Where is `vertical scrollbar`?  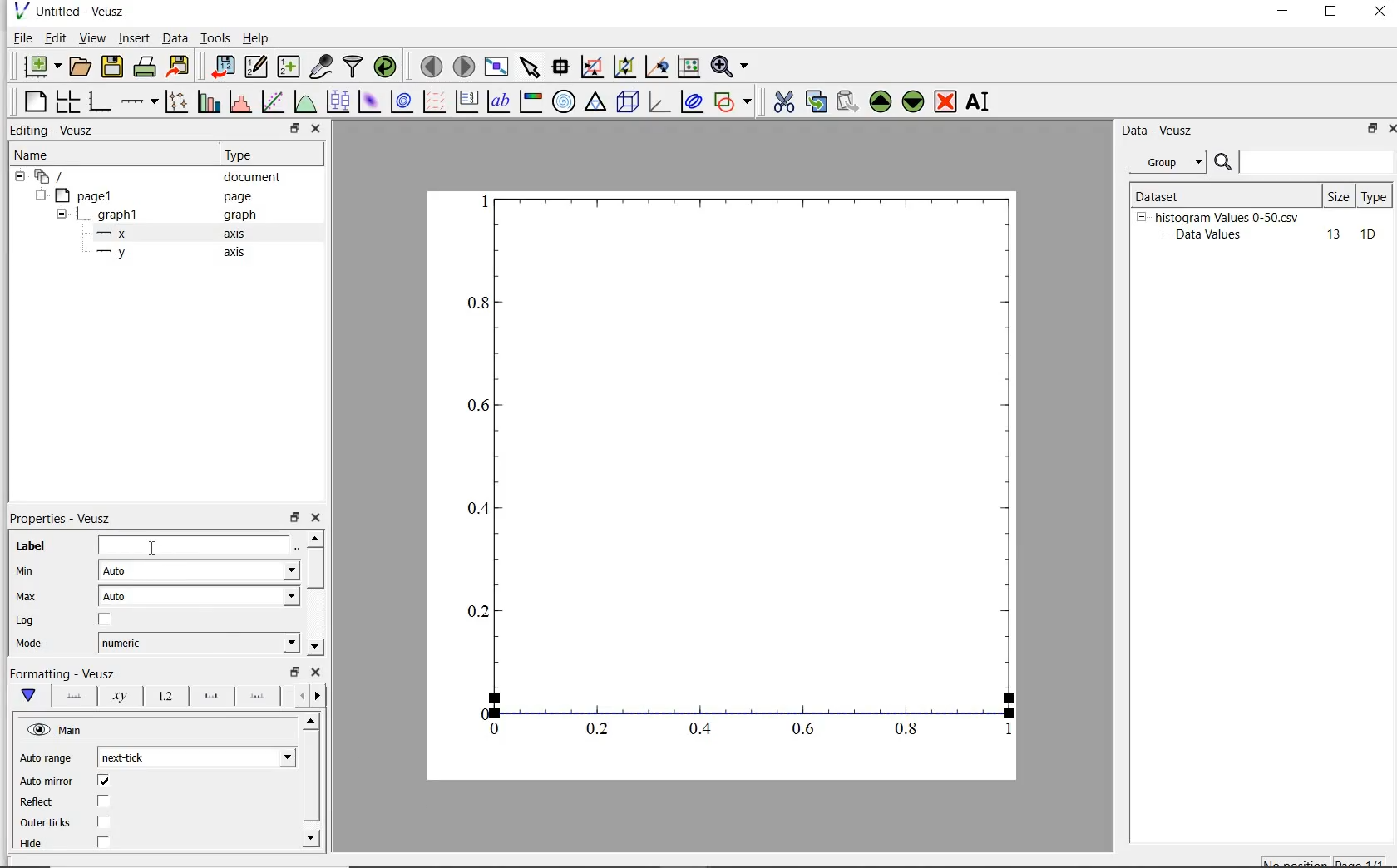
vertical scrollbar is located at coordinates (310, 777).